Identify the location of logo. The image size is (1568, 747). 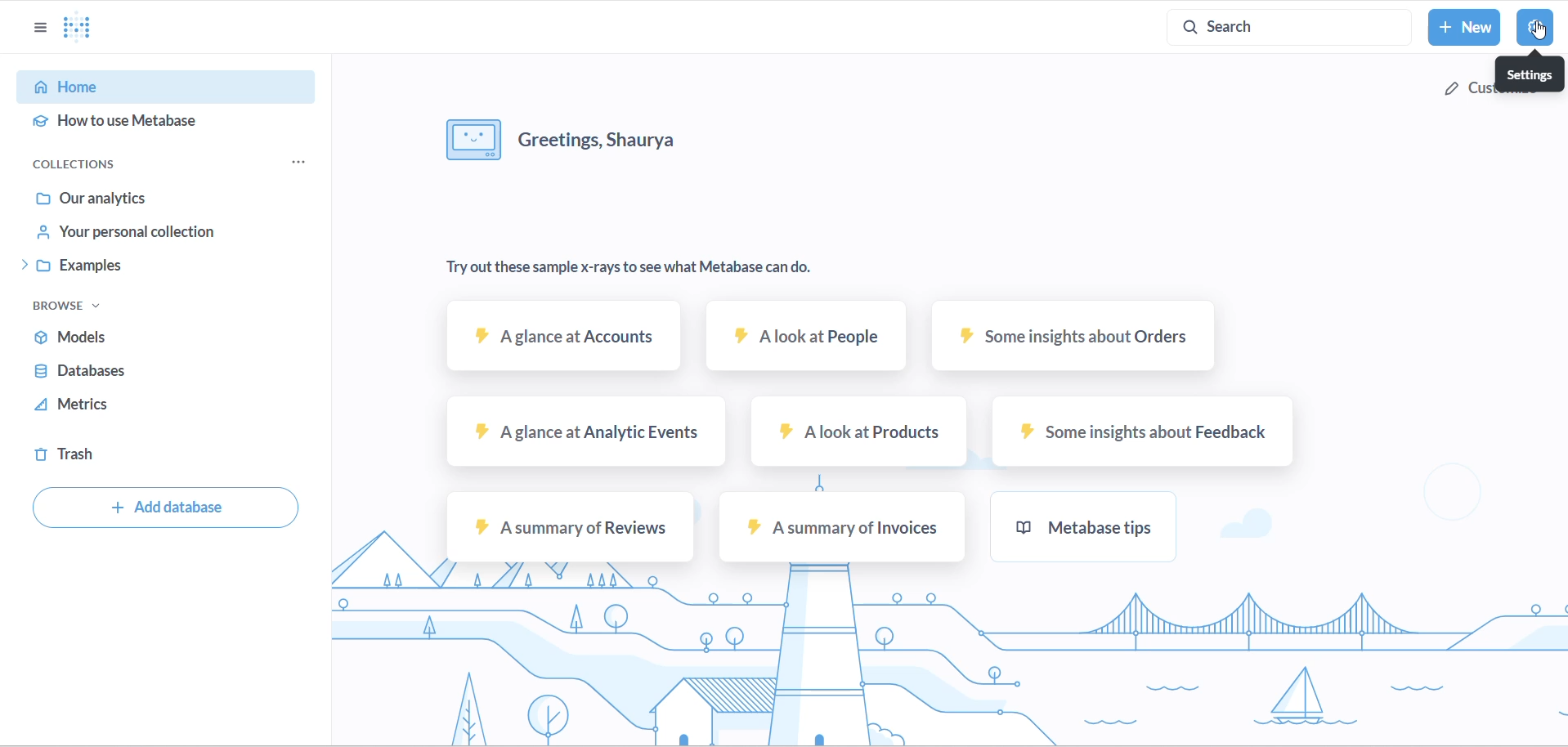
(89, 29).